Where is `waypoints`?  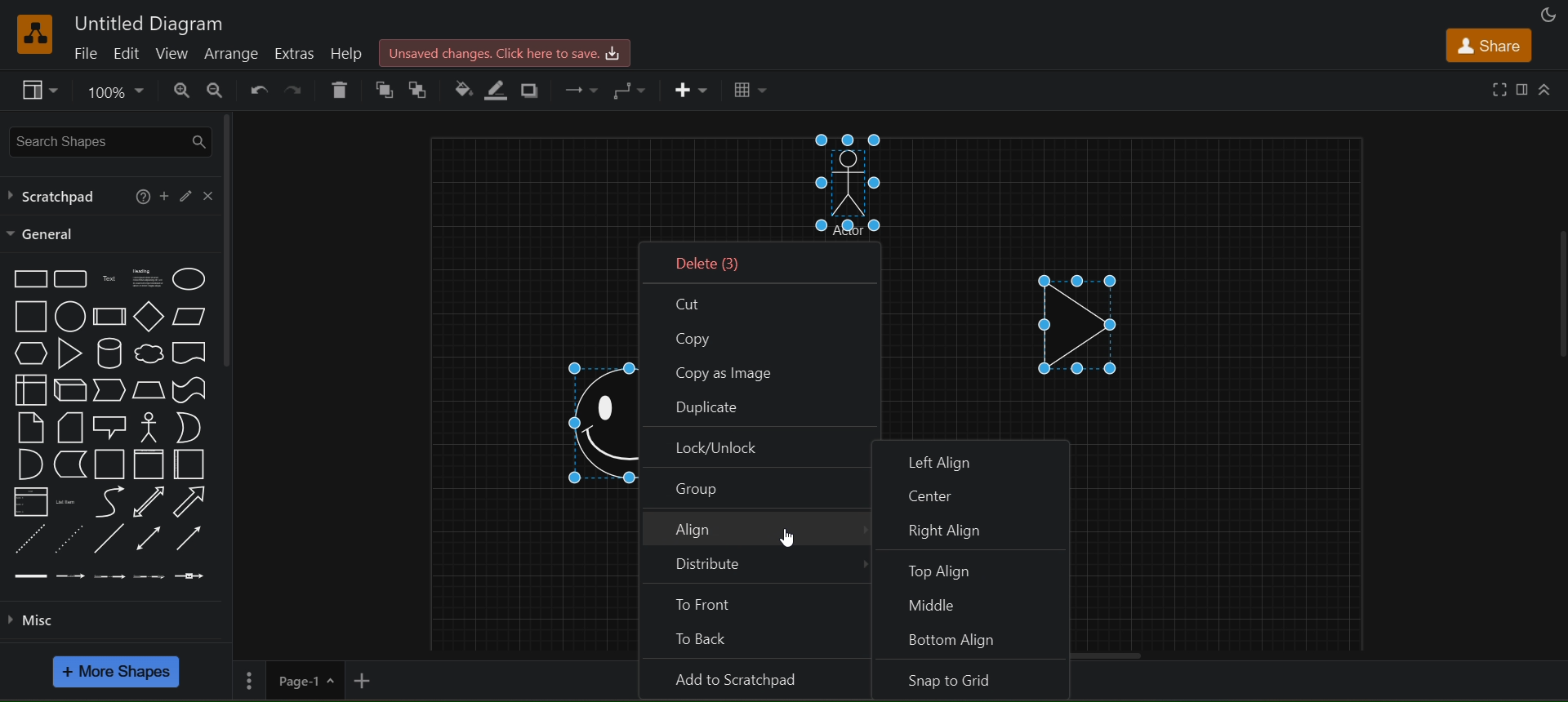
waypoints is located at coordinates (632, 89).